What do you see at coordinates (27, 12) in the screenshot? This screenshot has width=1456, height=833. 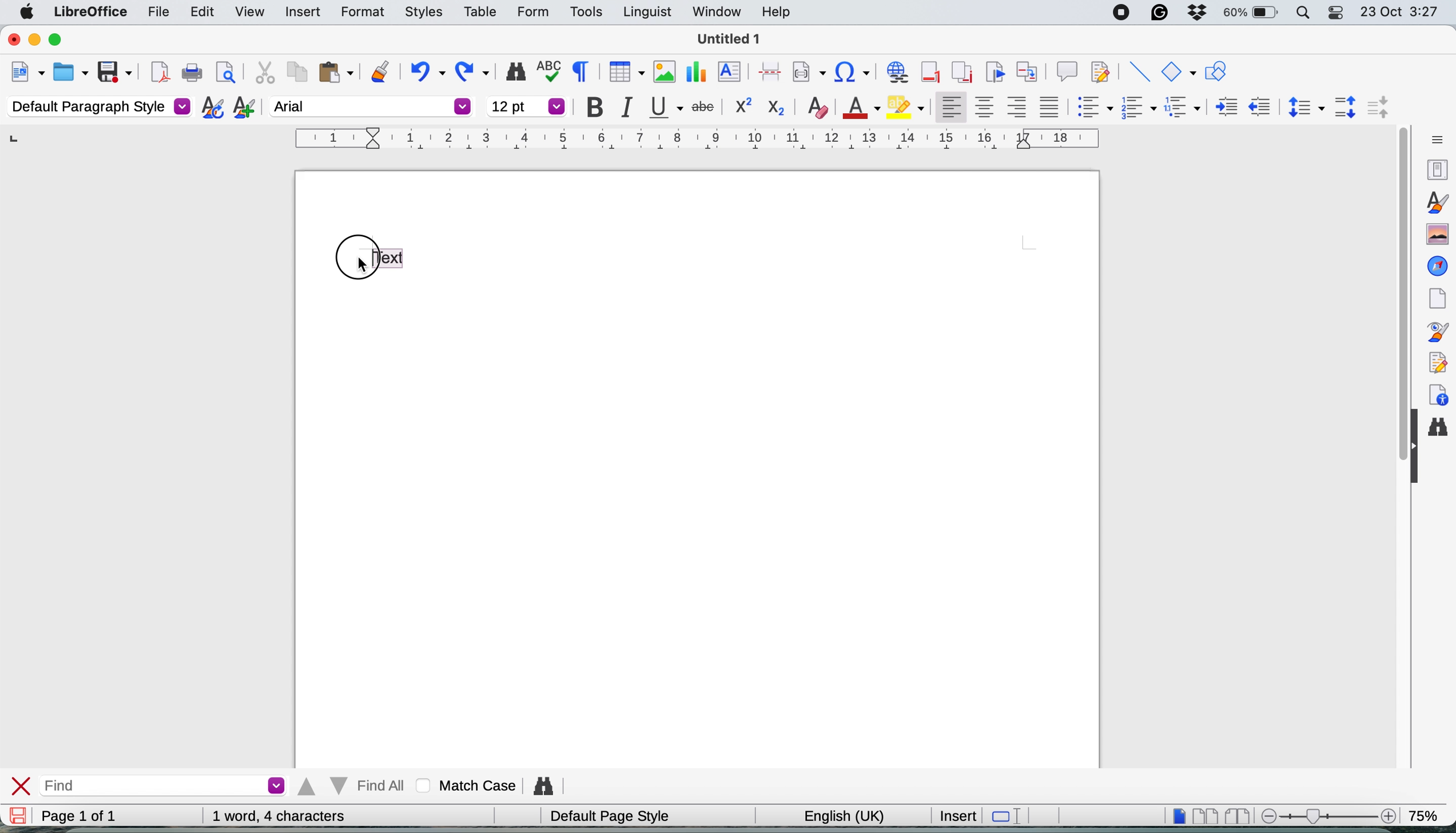 I see `system logo` at bounding box center [27, 12].